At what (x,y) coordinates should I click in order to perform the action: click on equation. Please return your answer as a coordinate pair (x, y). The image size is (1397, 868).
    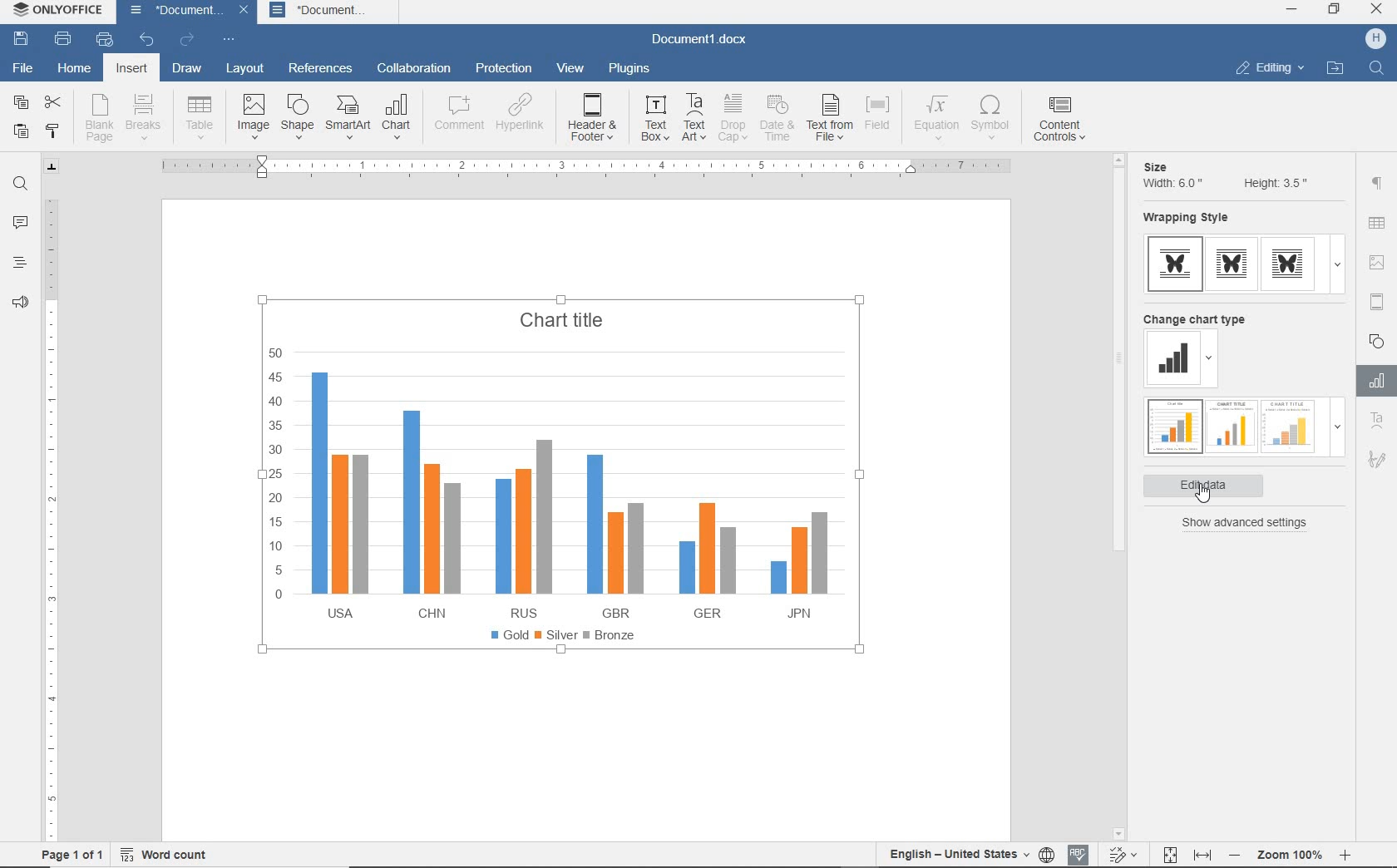
    Looking at the image, I should click on (933, 120).